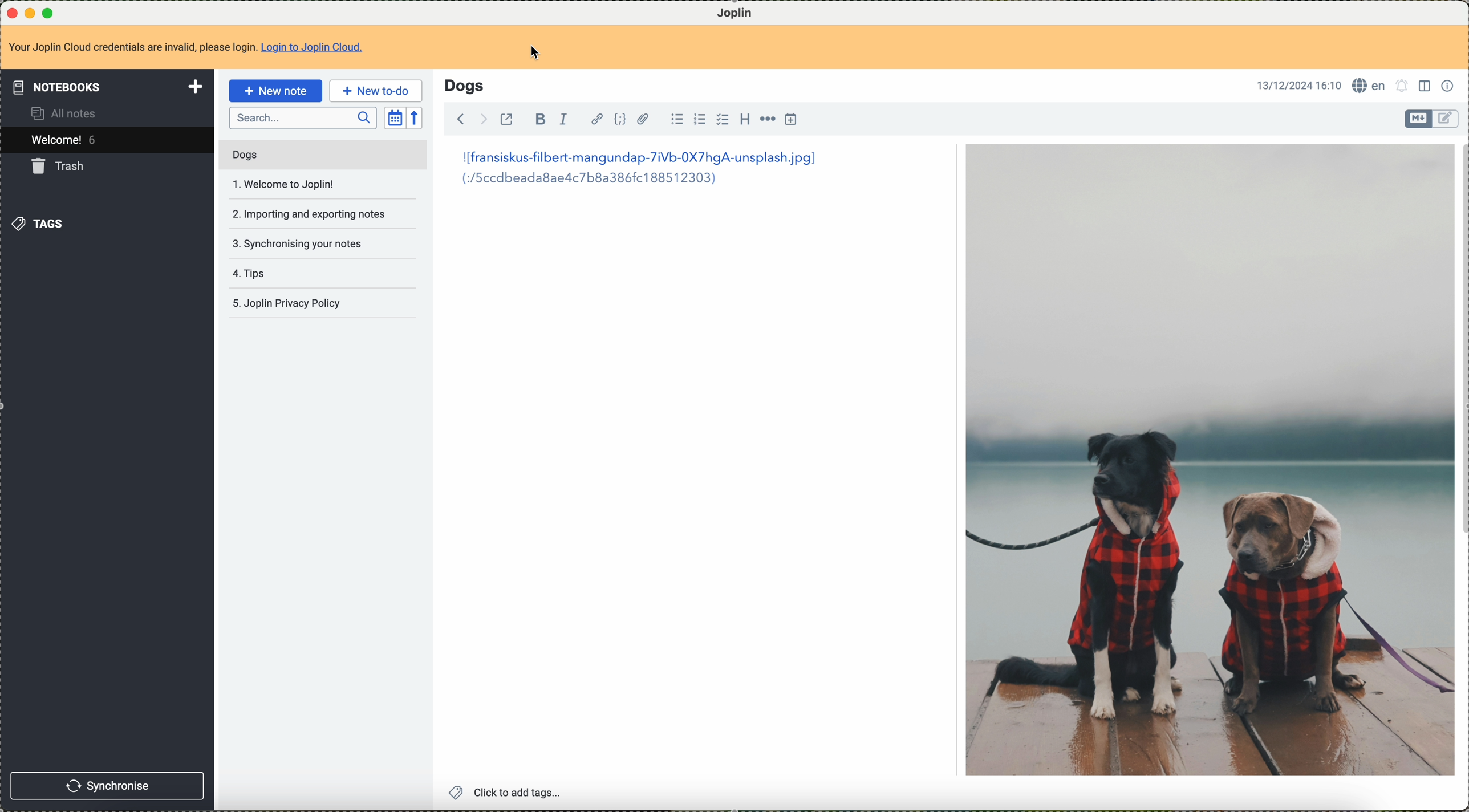 Image resolution: width=1469 pixels, height=812 pixels. I want to click on language, so click(1370, 86).